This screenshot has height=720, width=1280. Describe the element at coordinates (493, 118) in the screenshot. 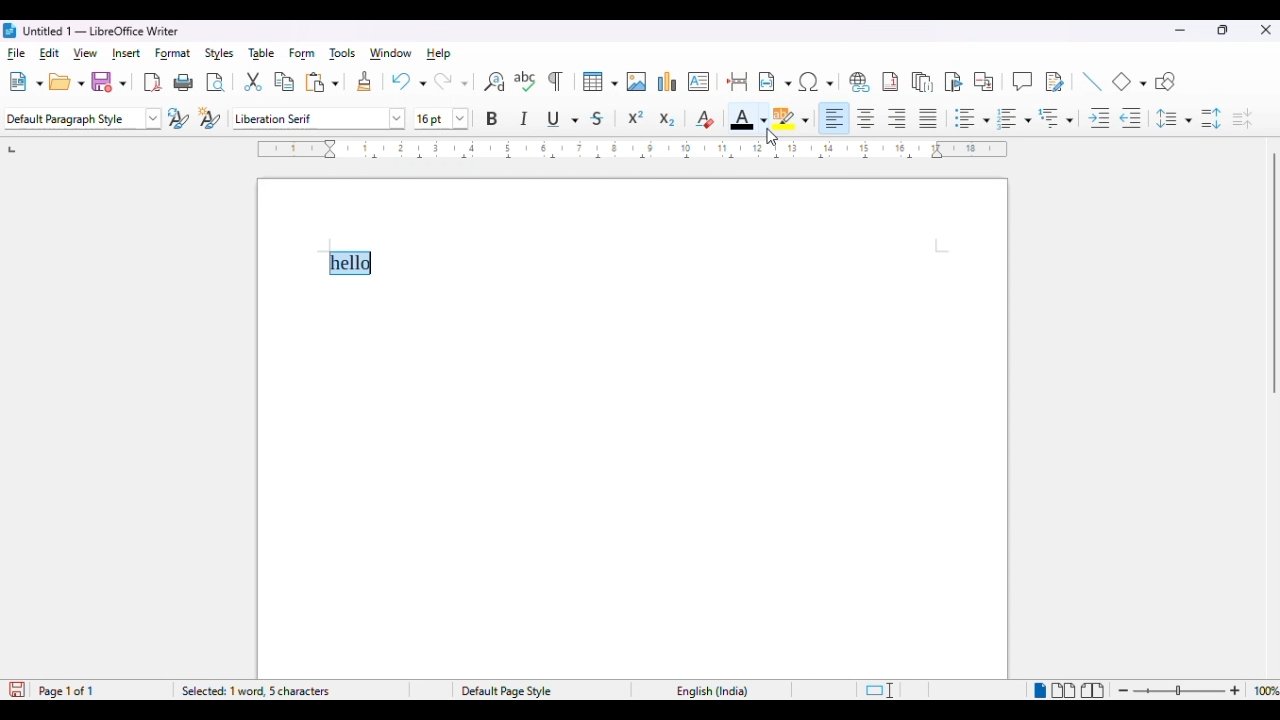

I see `bold` at that location.